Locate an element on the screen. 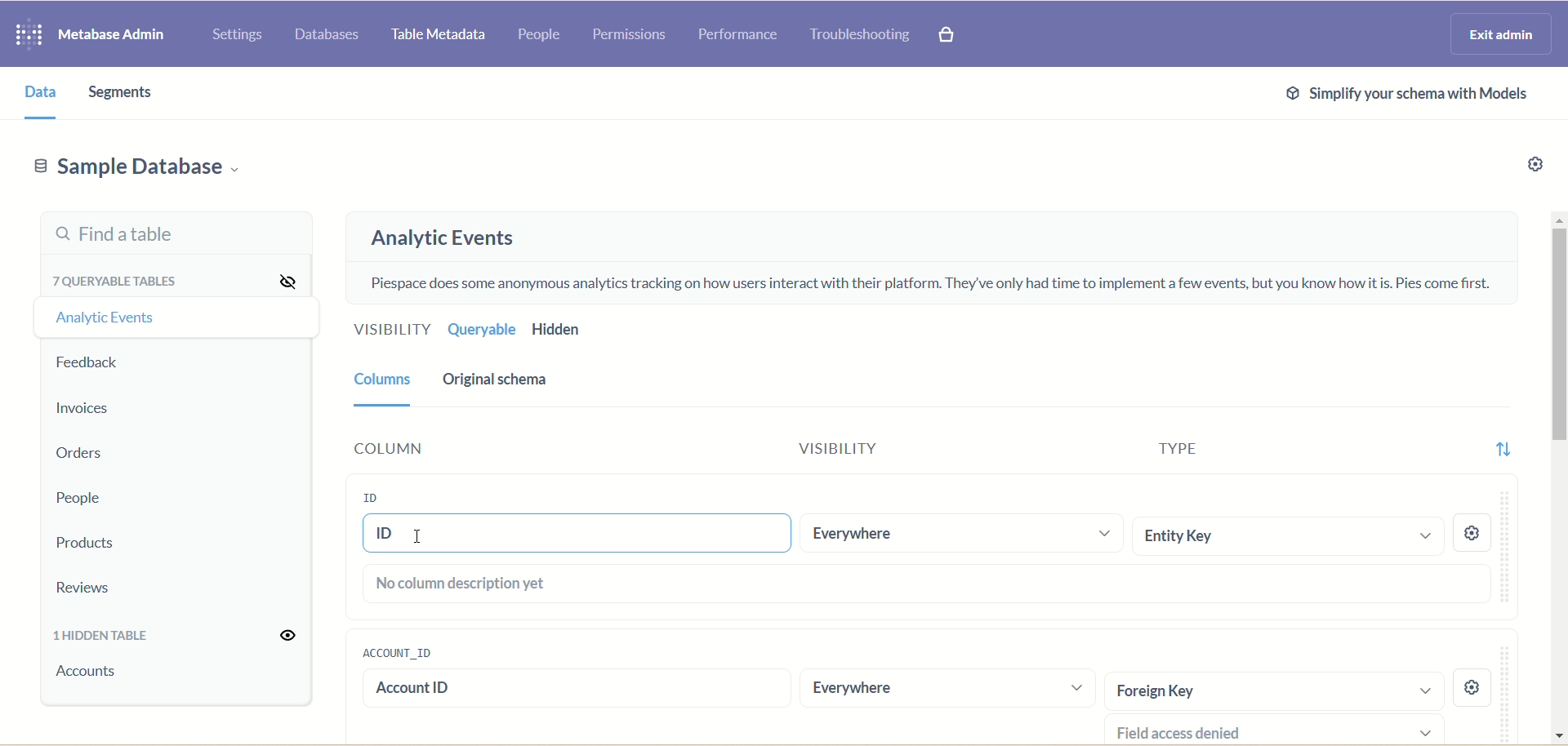 The image size is (1568, 746). Type is located at coordinates (1182, 444).